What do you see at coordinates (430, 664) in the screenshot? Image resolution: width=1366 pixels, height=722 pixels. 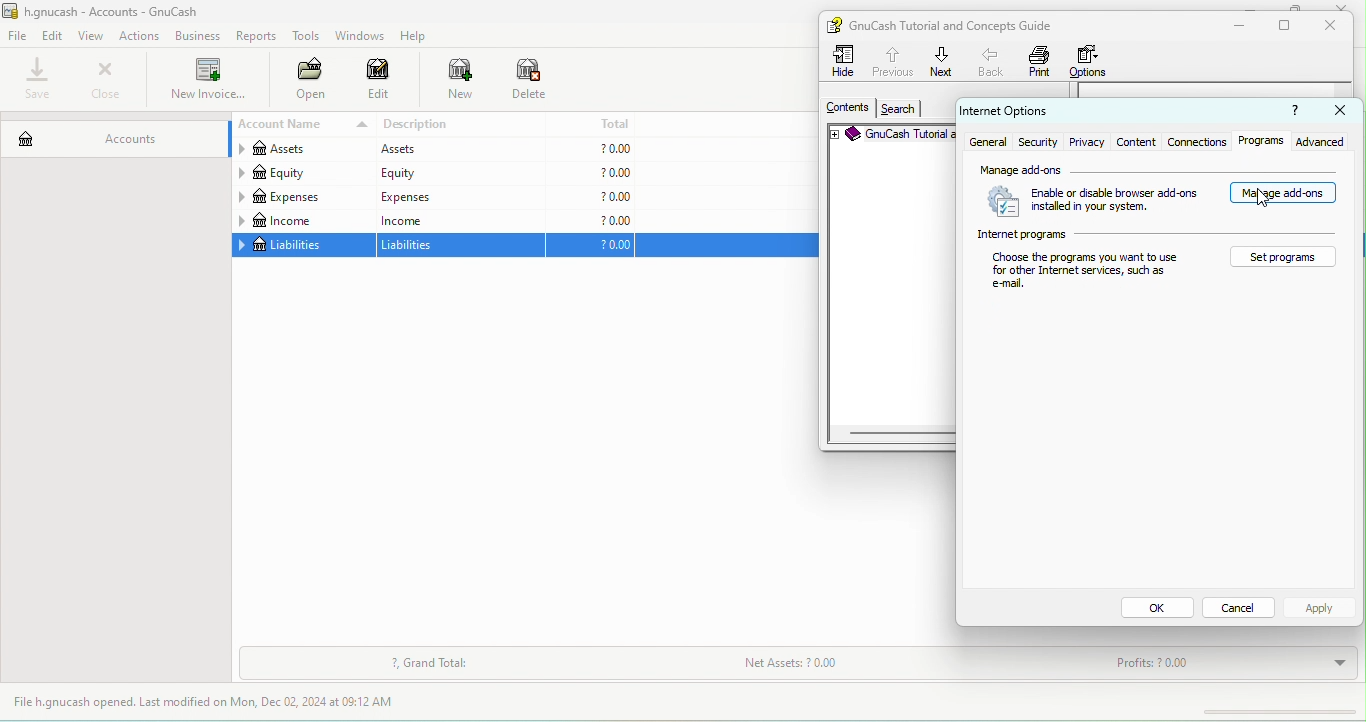 I see `grand total` at bounding box center [430, 664].